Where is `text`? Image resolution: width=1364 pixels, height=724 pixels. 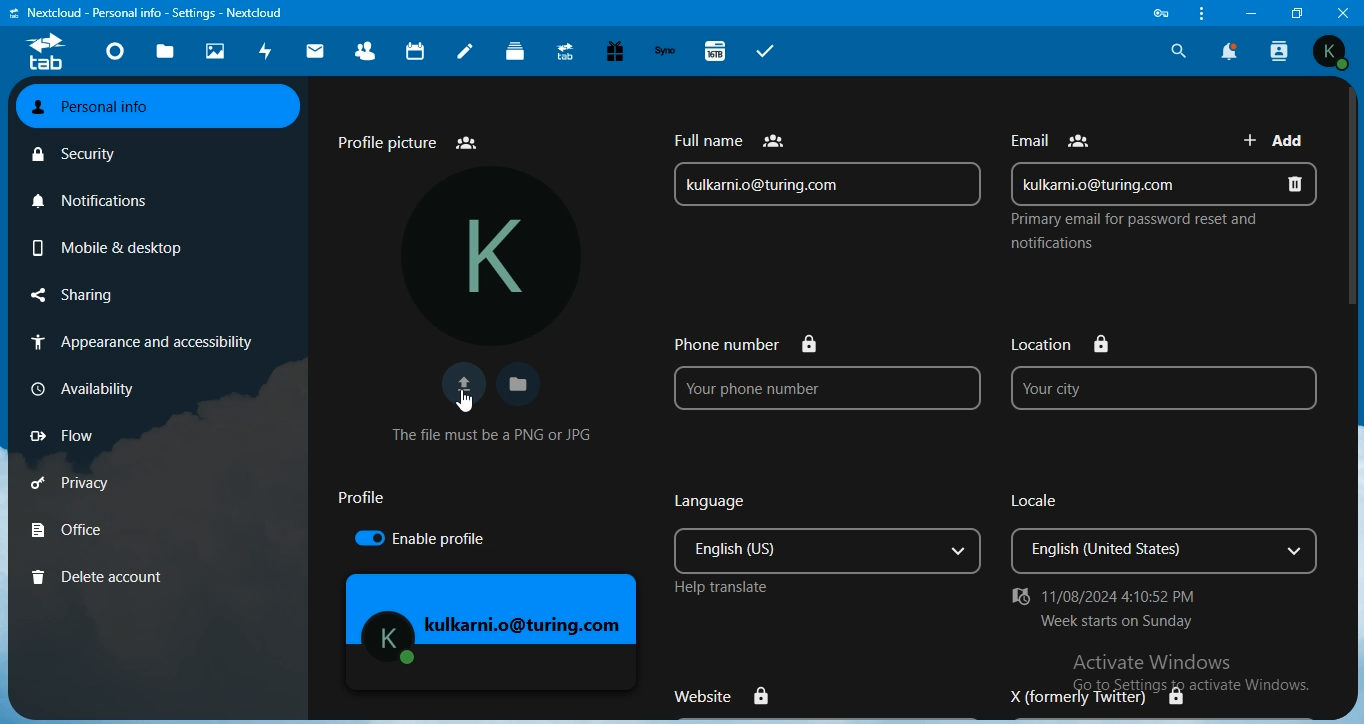 text is located at coordinates (153, 13).